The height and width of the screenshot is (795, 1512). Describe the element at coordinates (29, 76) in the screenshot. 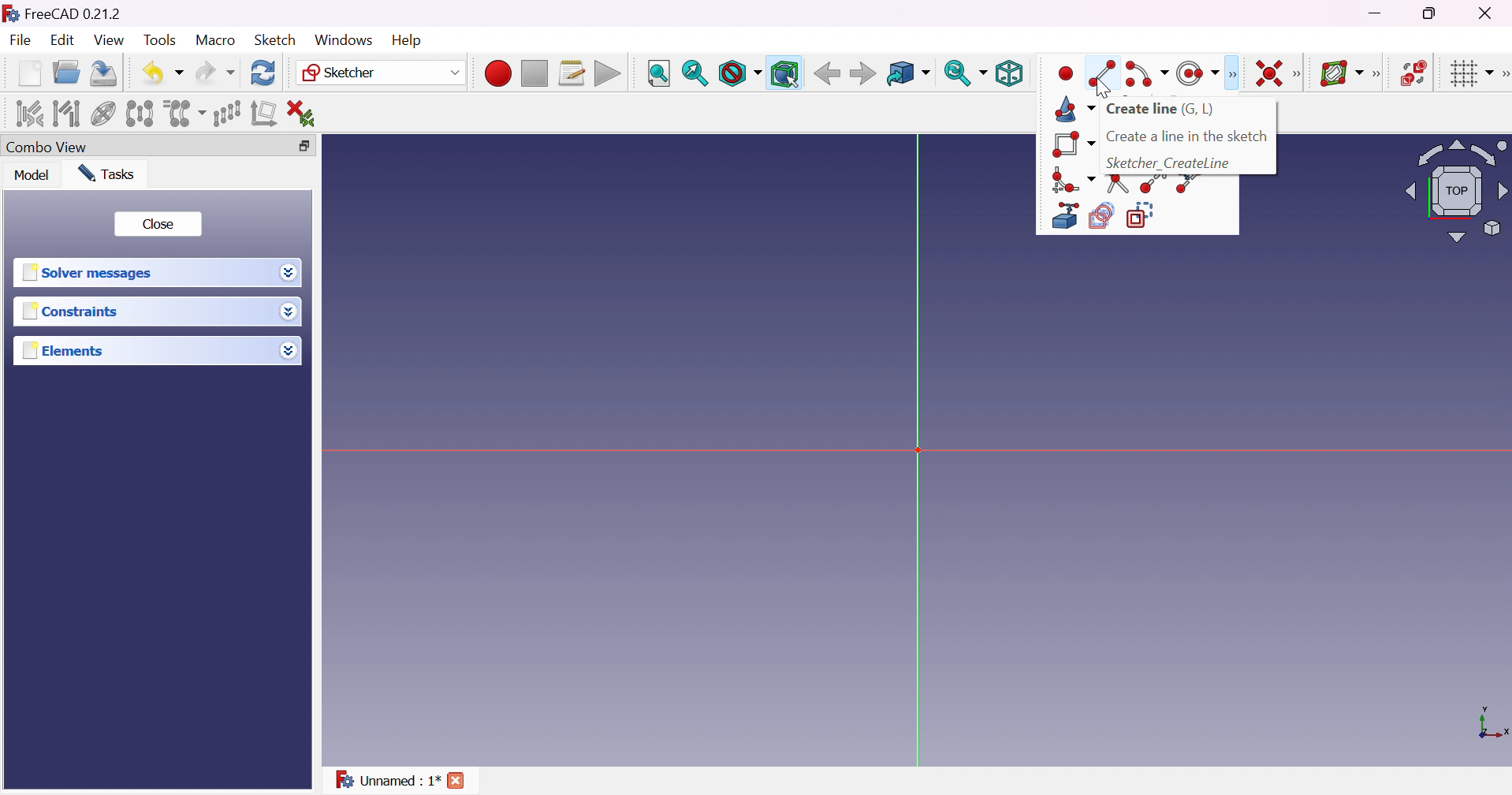

I see `New` at that location.